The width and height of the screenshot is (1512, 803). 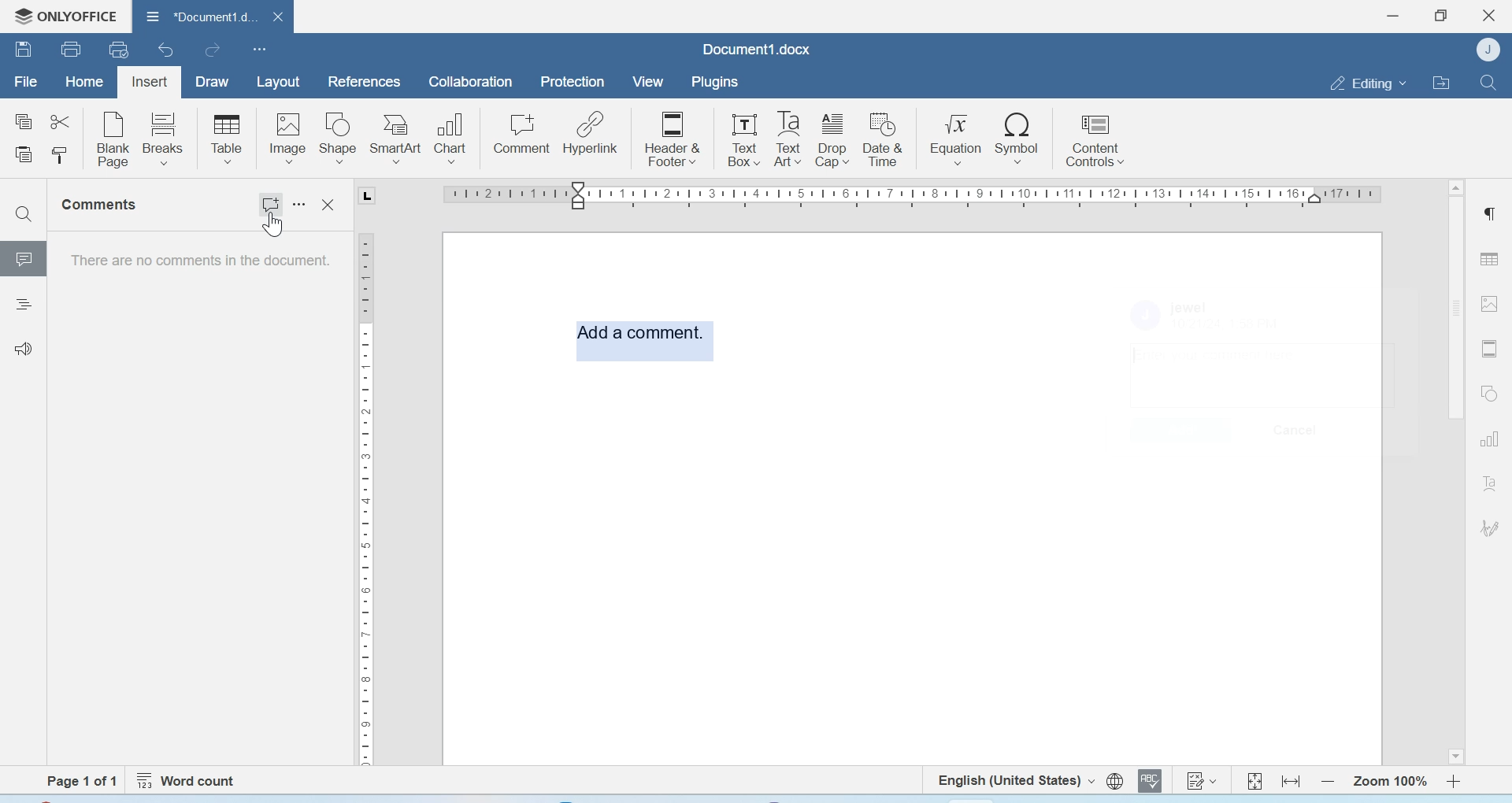 What do you see at coordinates (1491, 16) in the screenshot?
I see `Close` at bounding box center [1491, 16].